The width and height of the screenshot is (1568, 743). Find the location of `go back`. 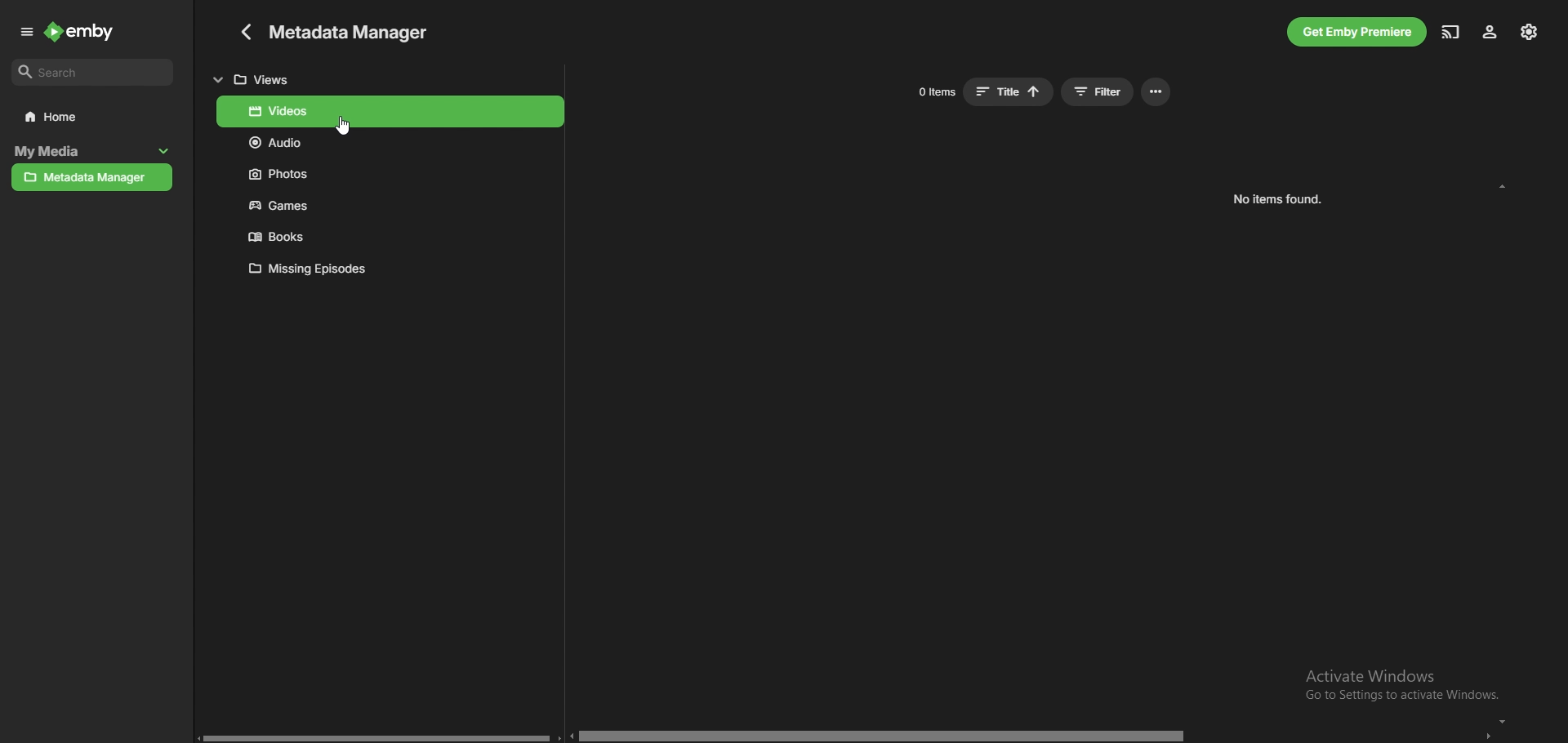

go back is located at coordinates (243, 32).